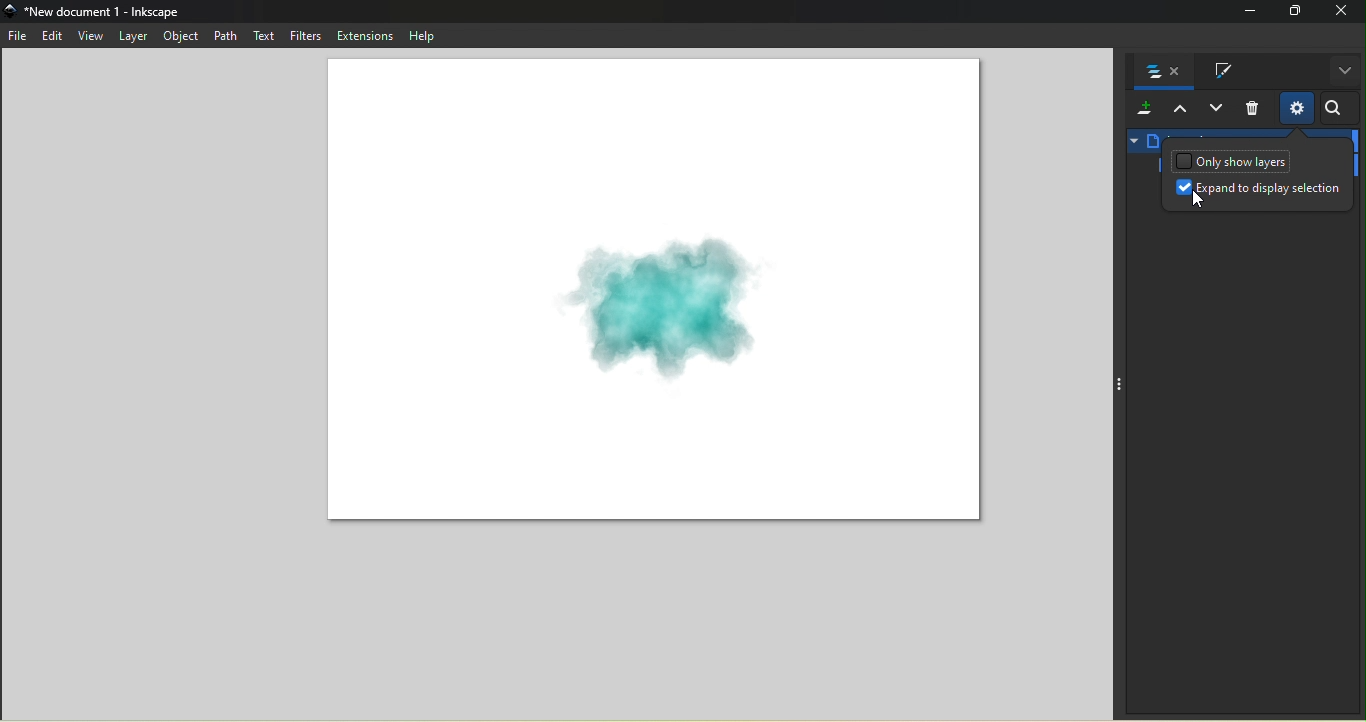  Describe the element at coordinates (1294, 11) in the screenshot. I see `Maximize` at that location.